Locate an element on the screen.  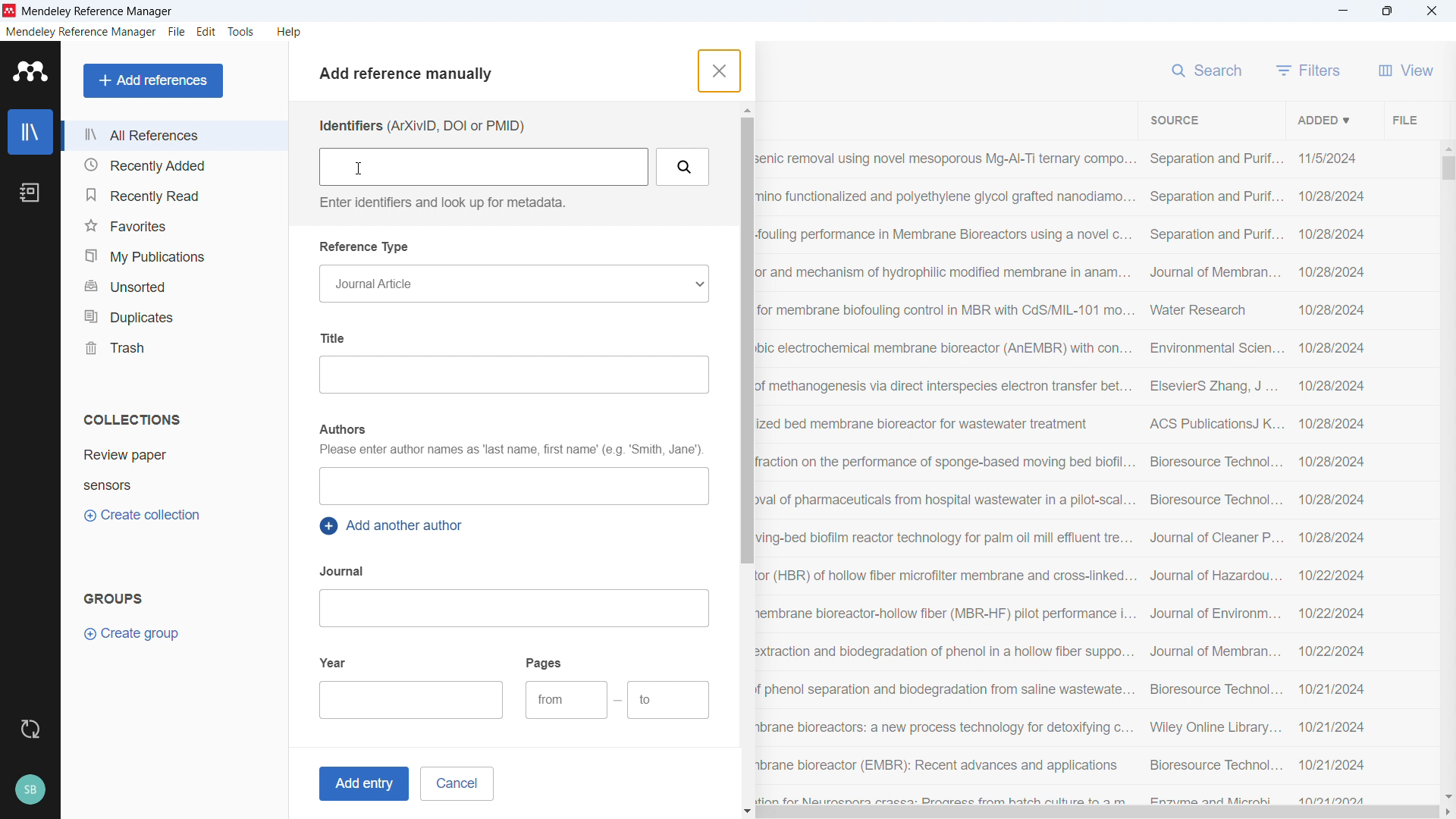
Sync  is located at coordinates (30, 730).